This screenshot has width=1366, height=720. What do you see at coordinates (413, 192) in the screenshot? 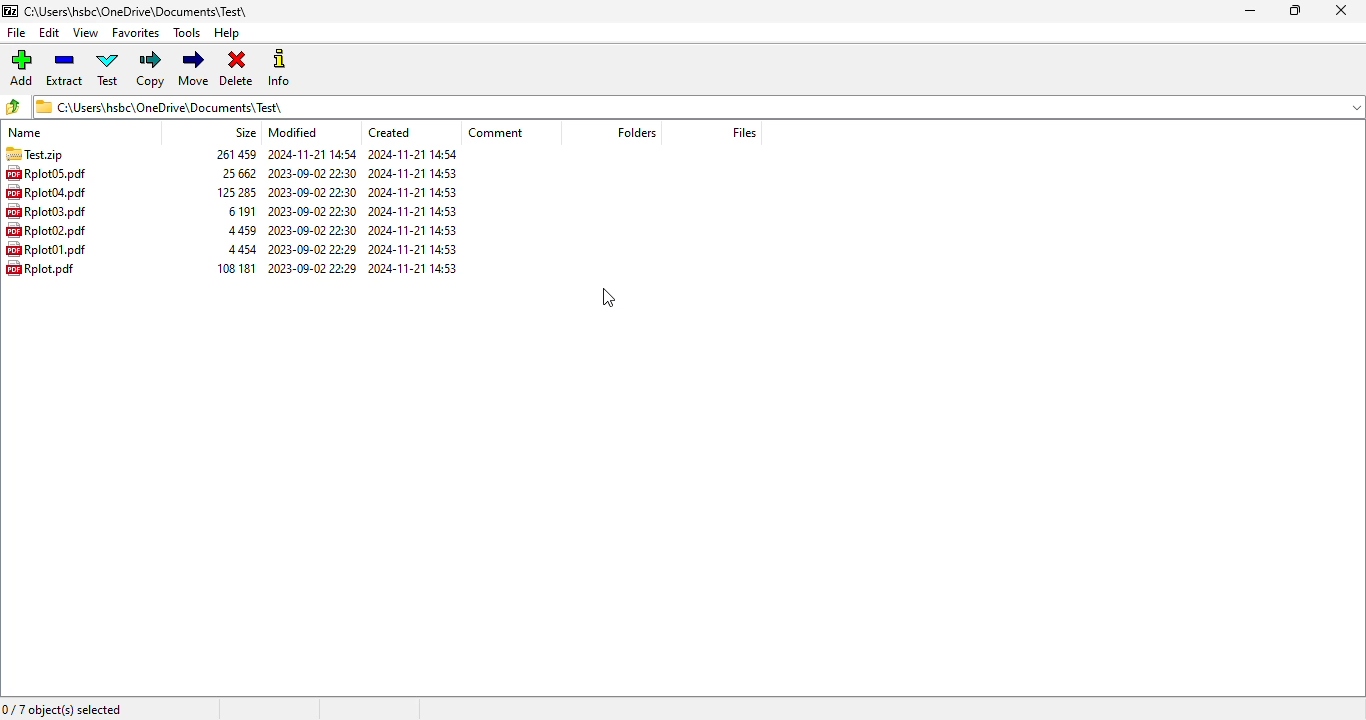
I see `created date & time` at bounding box center [413, 192].